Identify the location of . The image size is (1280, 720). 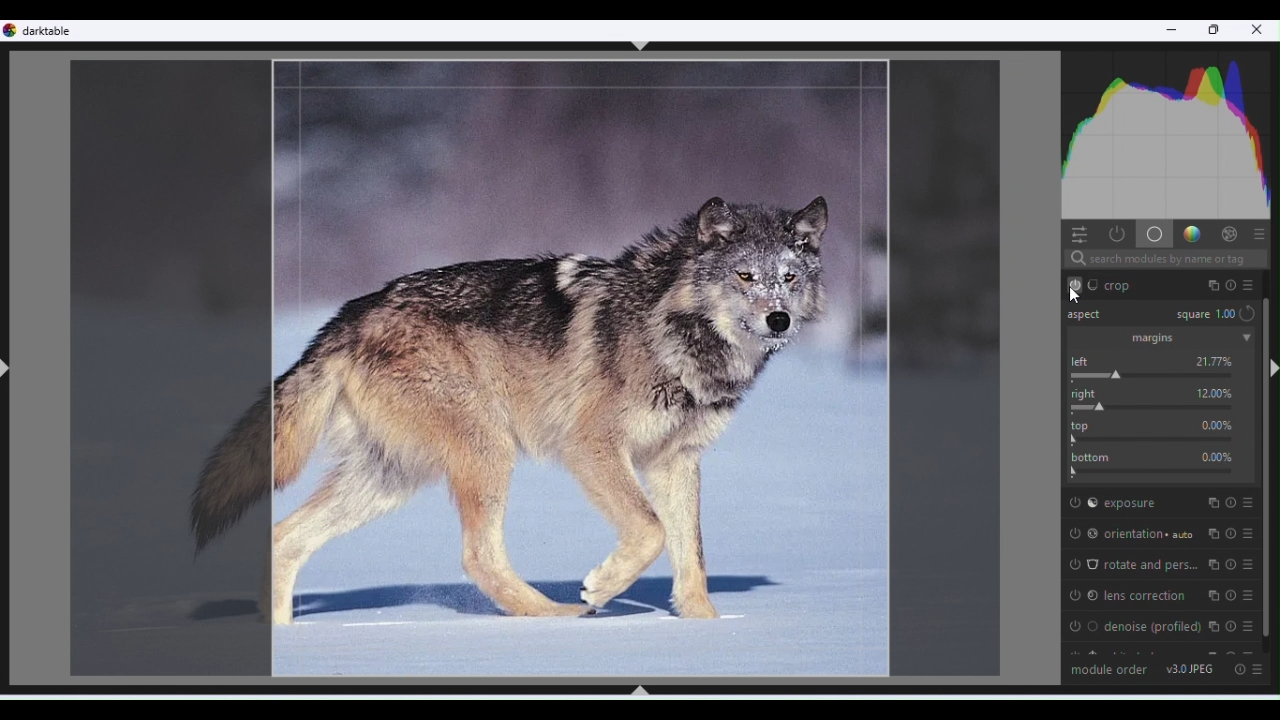
(1203, 315).